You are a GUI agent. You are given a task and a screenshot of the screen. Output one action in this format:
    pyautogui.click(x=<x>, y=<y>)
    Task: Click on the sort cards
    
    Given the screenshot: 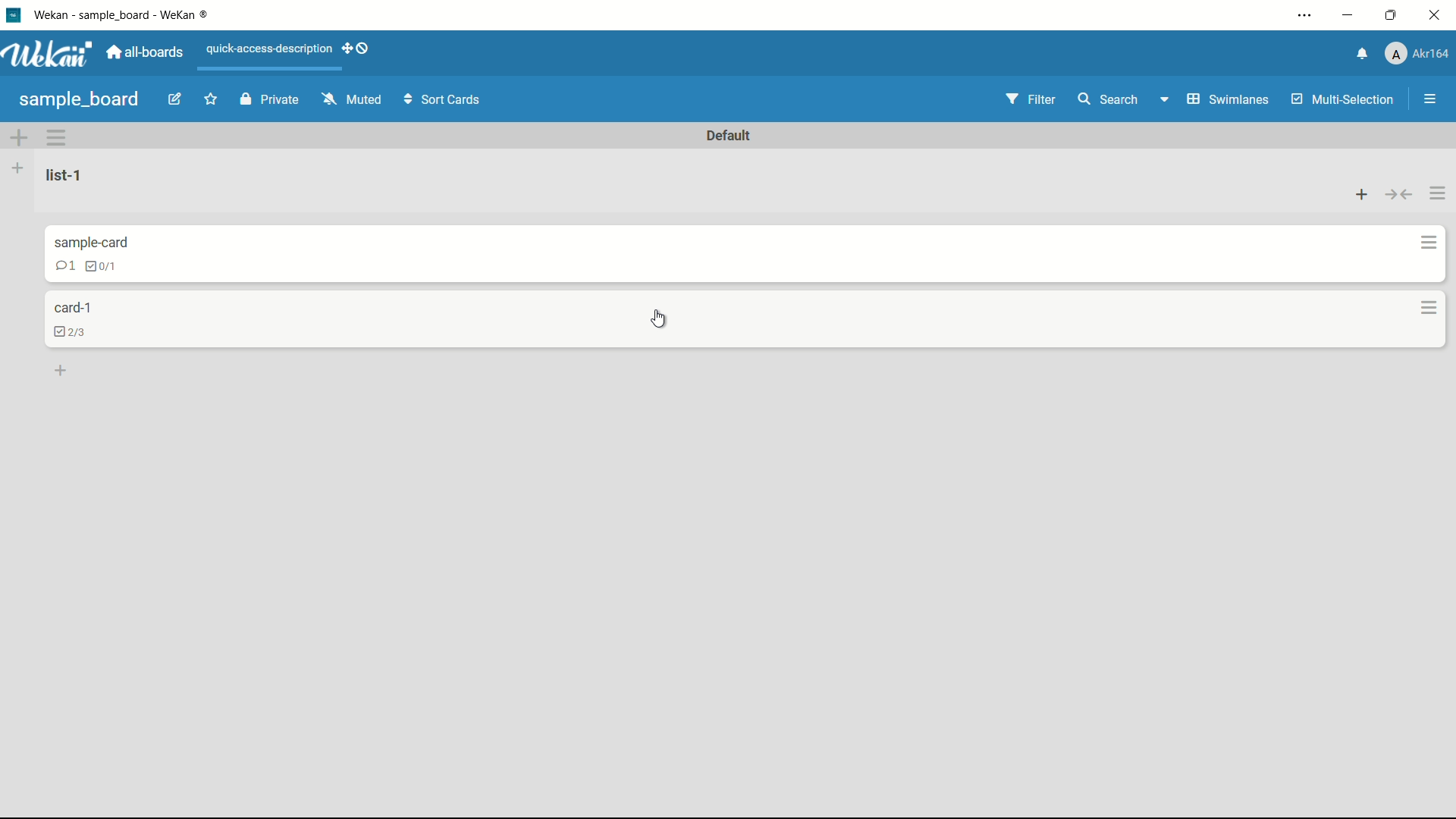 What is the action you would take?
    pyautogui.click(x=445, y=101)
    